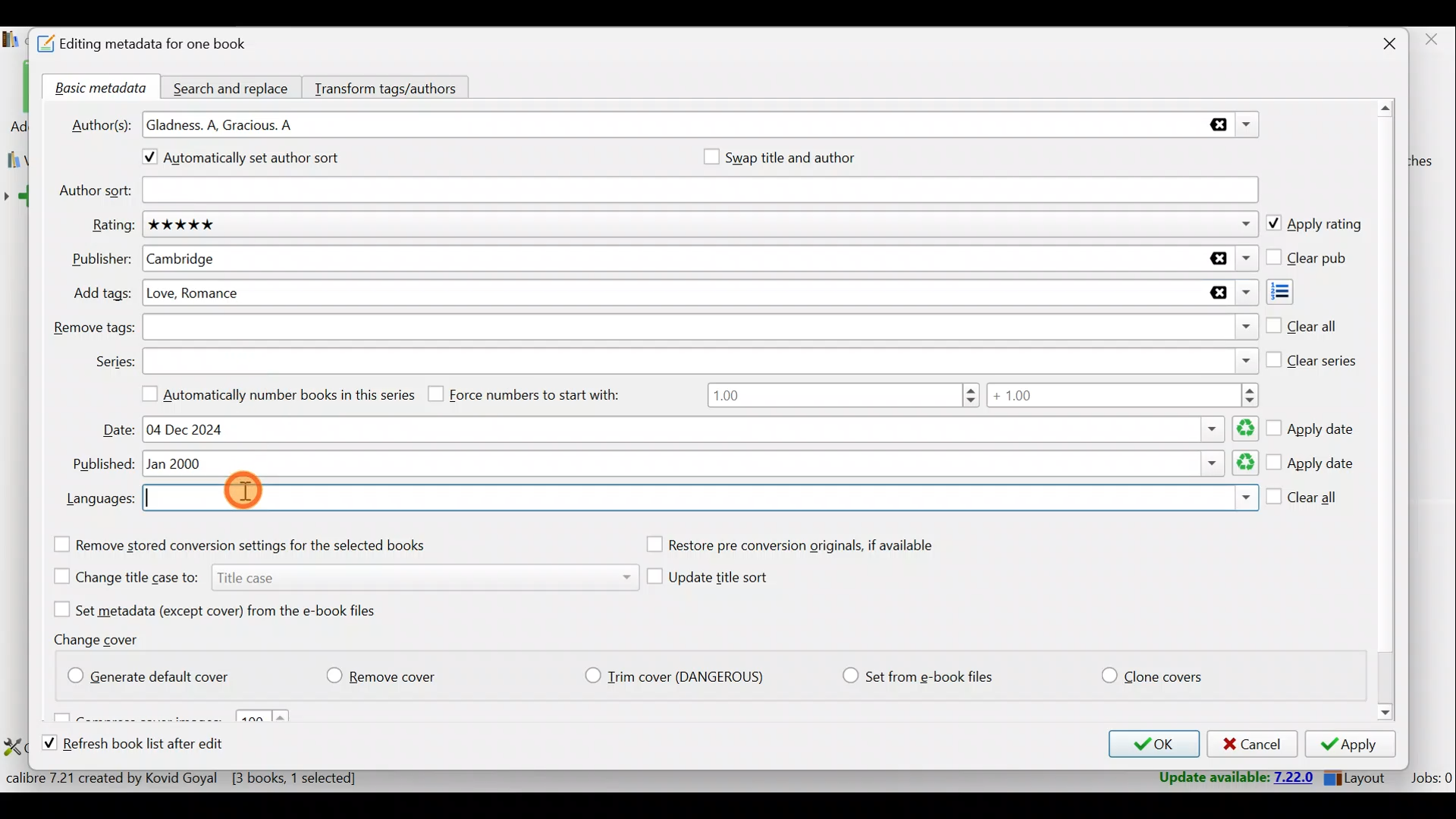 The width and height of the screenshot is (1456, 819). Describe the element at coordinates (272, 393) in the screenshot. I see `Automatically number books in this series` at that location.